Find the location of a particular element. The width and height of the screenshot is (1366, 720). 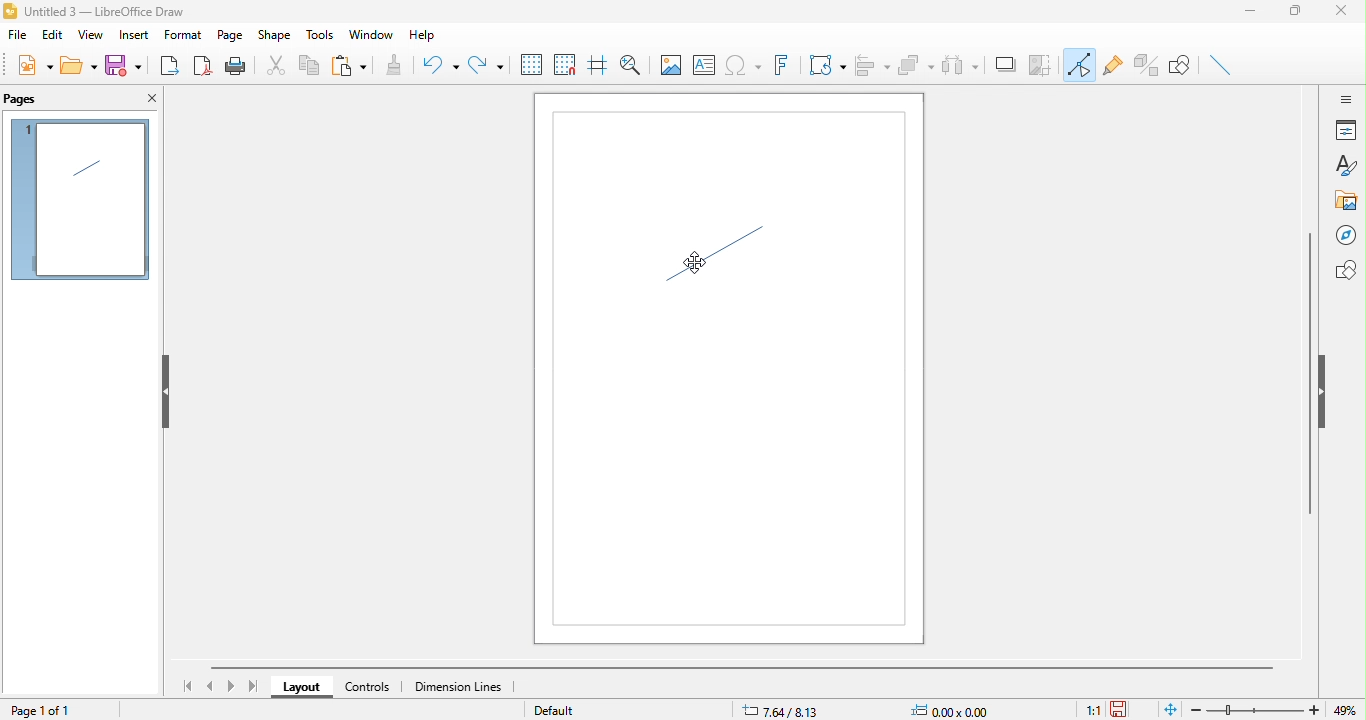

default is located at coordinates (578, 711).